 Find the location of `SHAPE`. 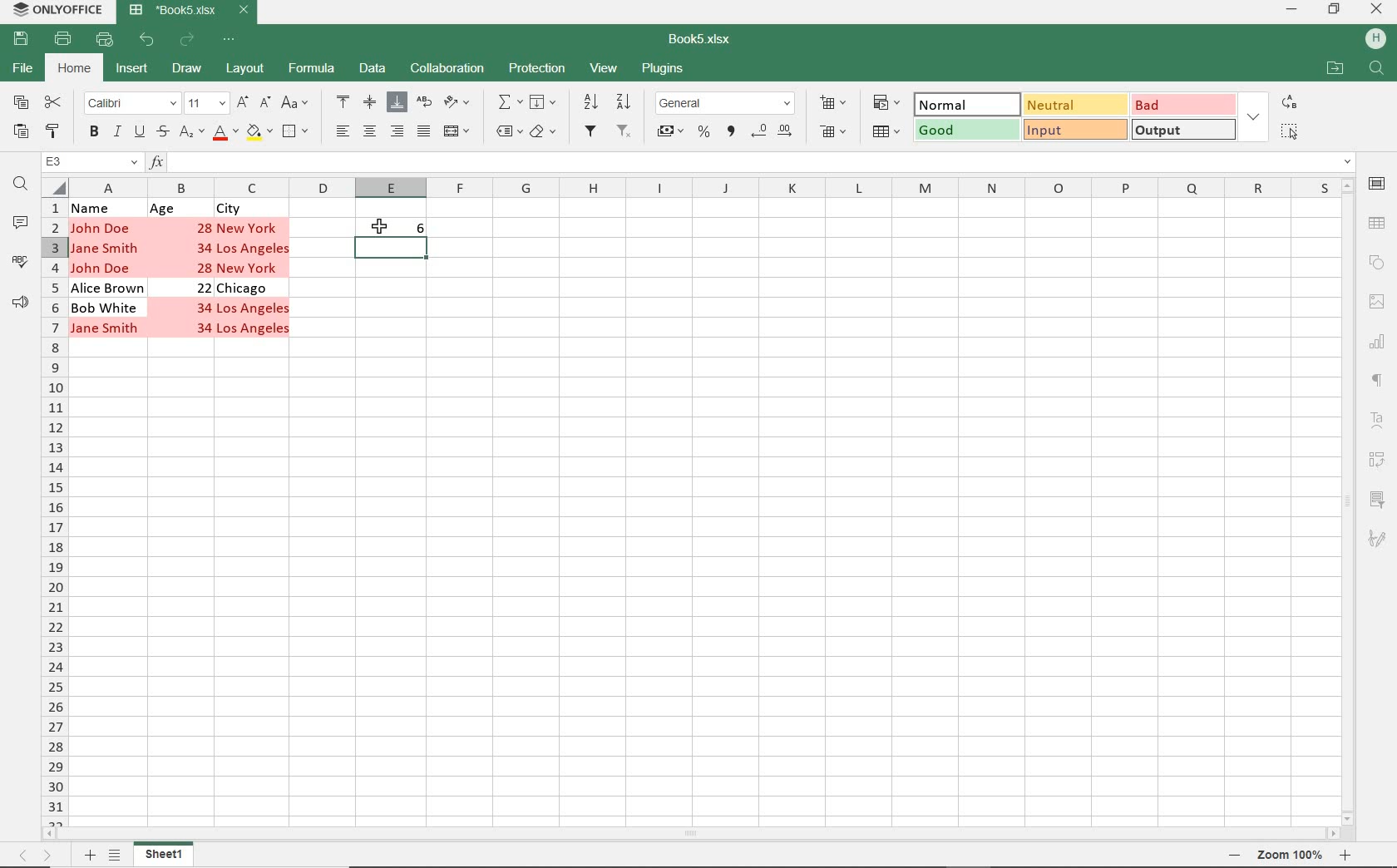

SHAPE is located at coordinates (1376, 261).